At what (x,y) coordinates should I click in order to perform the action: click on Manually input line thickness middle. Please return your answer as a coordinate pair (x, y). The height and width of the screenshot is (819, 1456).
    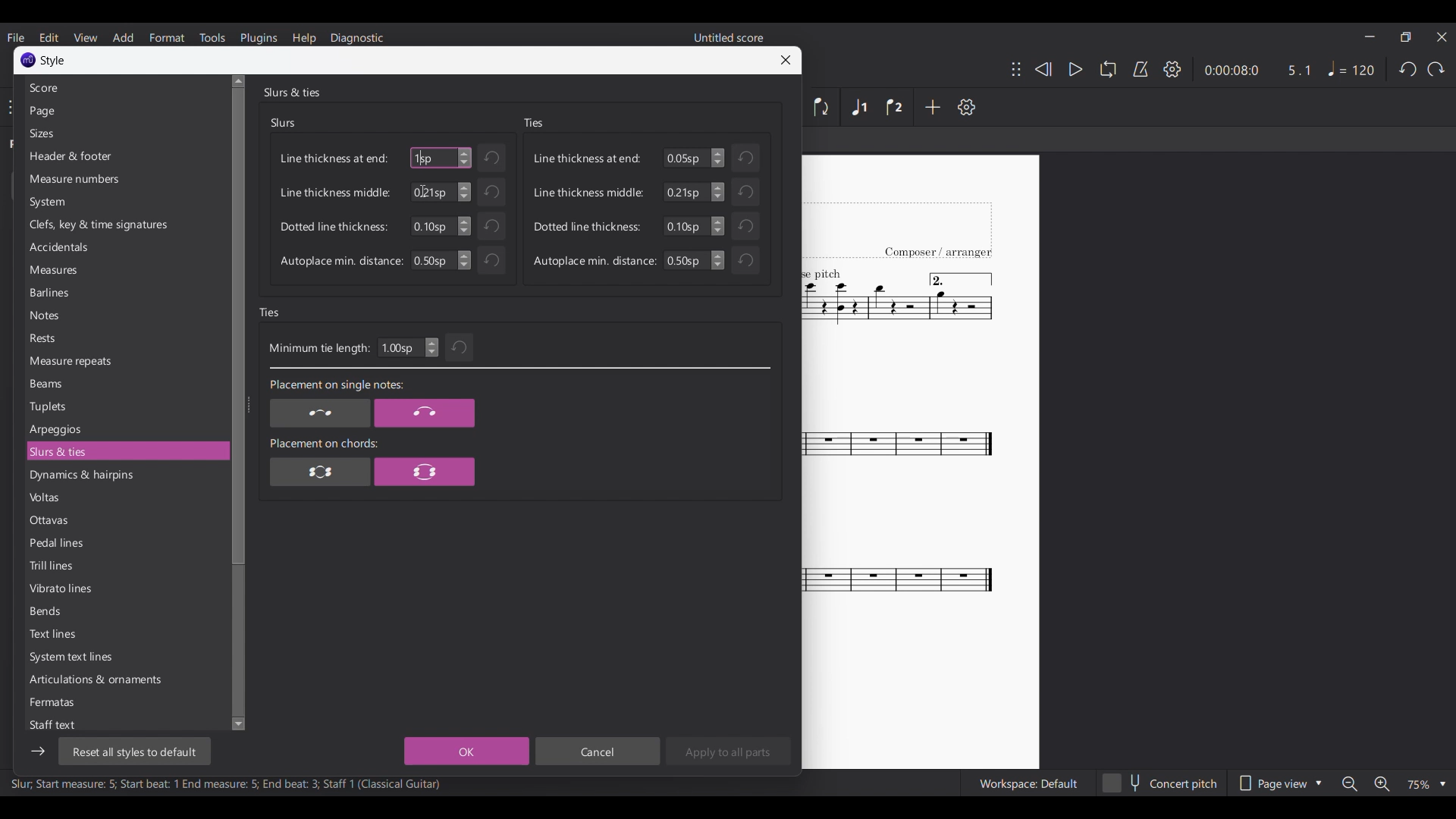
    Looking at the image, I should click on (432, 193).